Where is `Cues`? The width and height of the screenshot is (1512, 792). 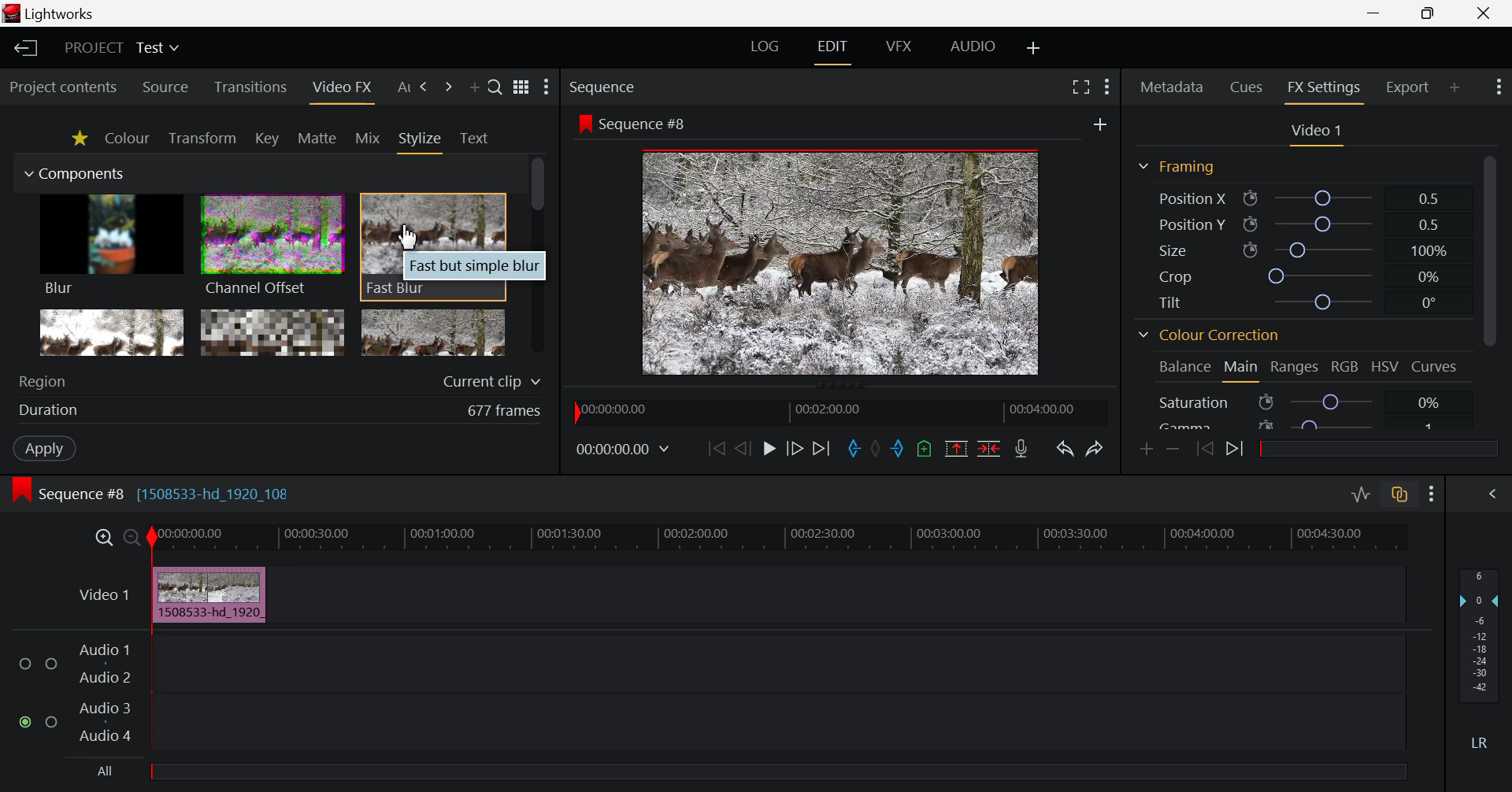
Cues is located at coordinates (1244, 87).